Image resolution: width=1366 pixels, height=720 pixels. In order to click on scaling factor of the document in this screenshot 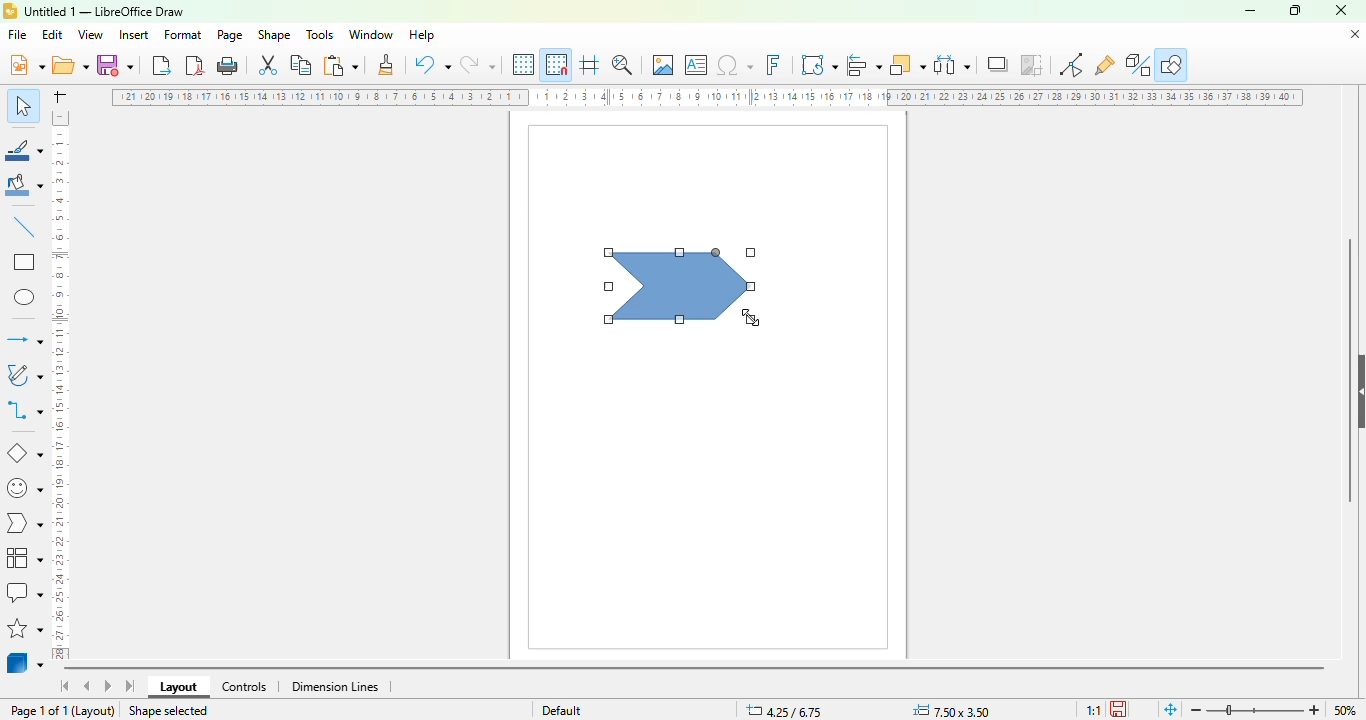, I will do `click(1093, 710)`.